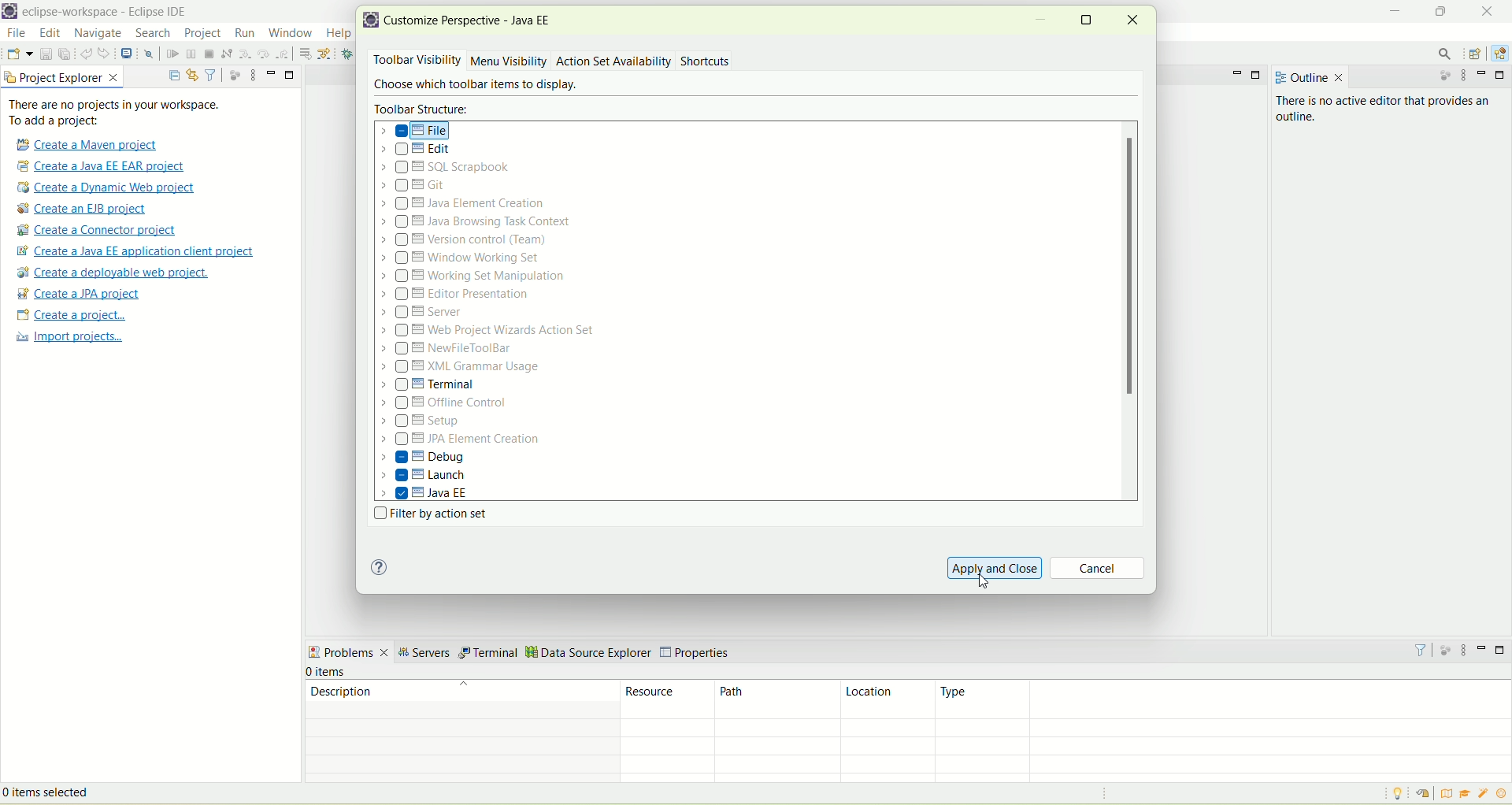  What do you see at coordinates (417, 131) in the screenshot?
I see `file` at bounding box center [417, 131].